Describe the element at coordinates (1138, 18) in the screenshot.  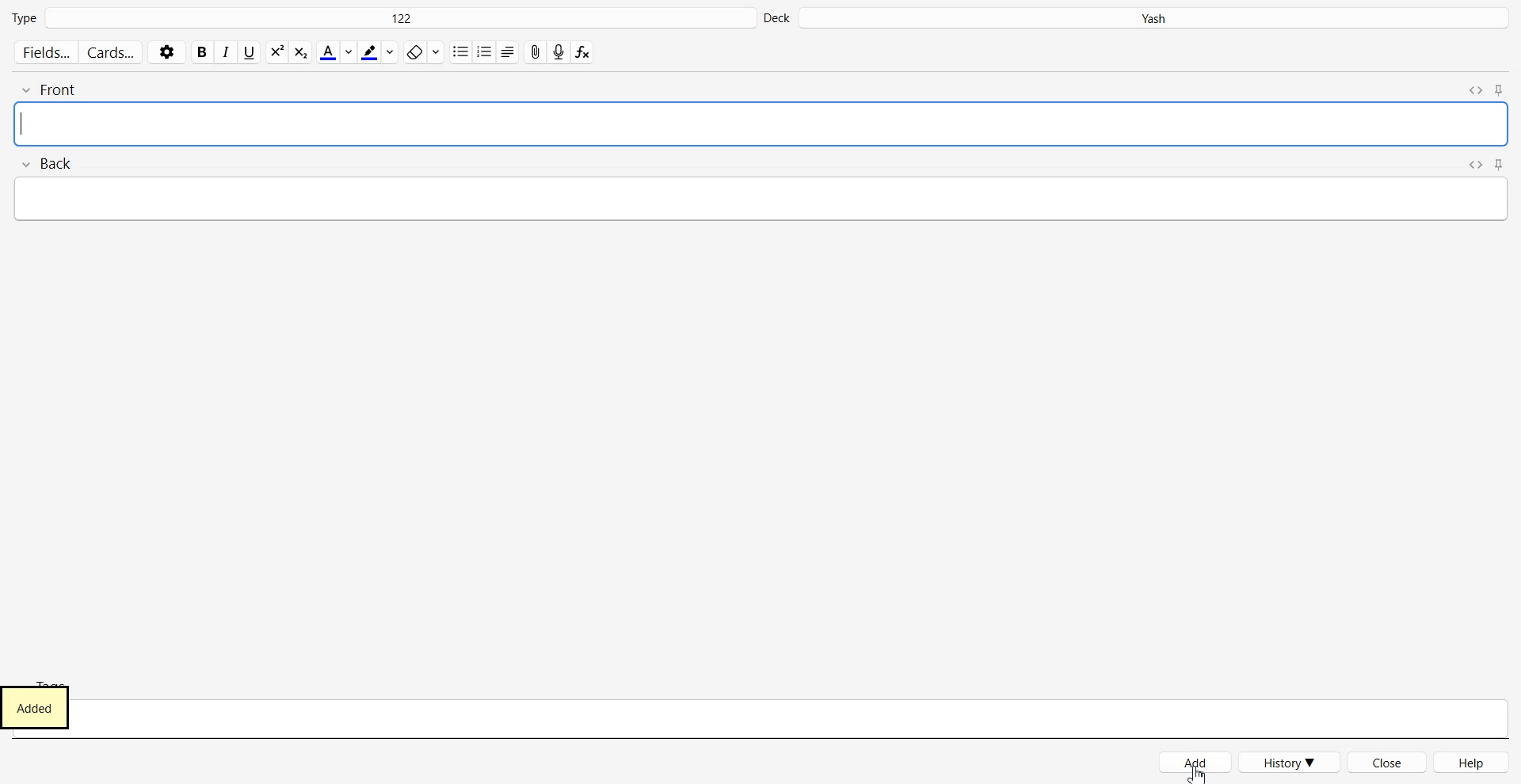
I see `Deck` at that location.